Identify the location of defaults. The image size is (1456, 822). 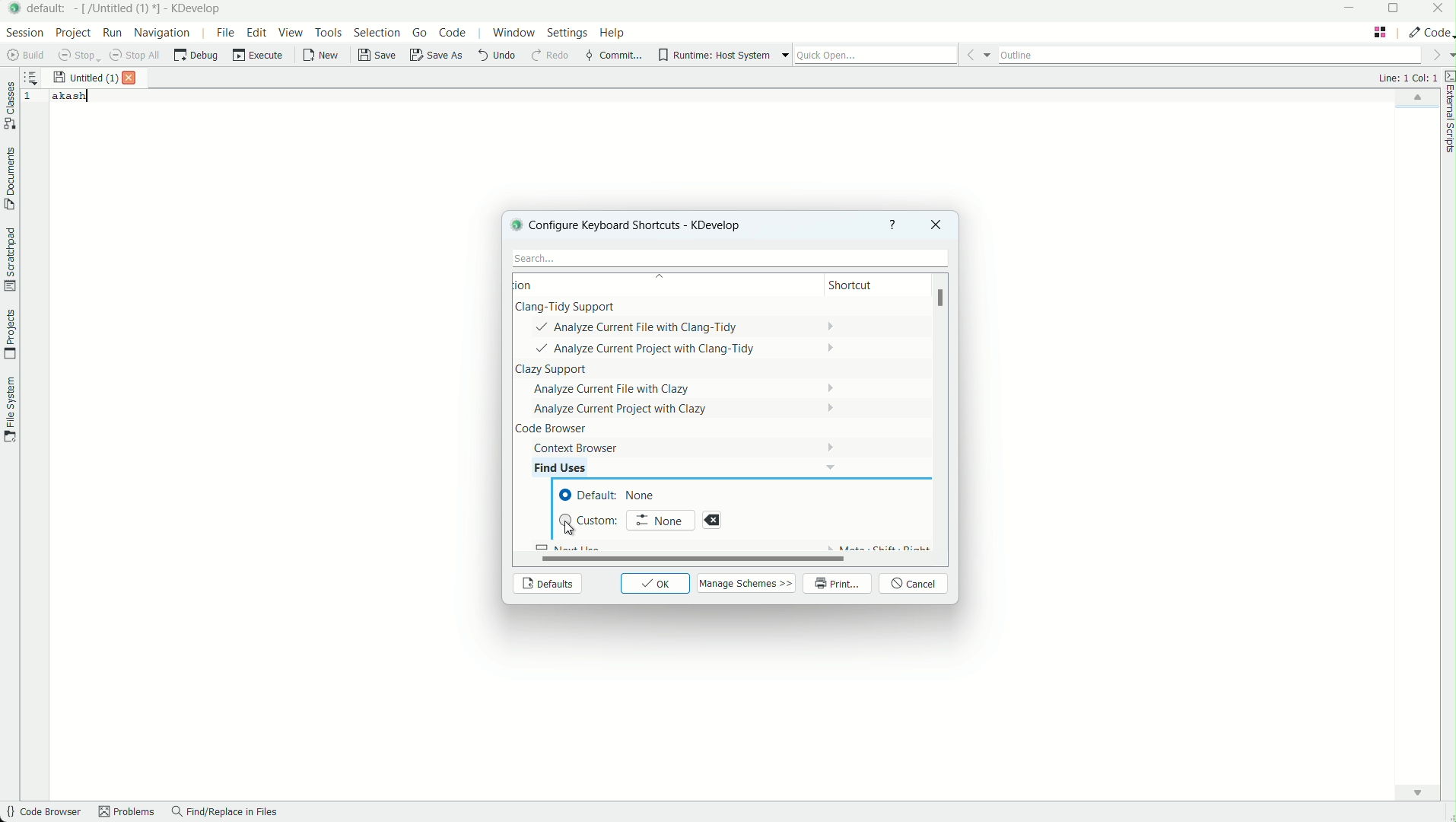
(546, 585).